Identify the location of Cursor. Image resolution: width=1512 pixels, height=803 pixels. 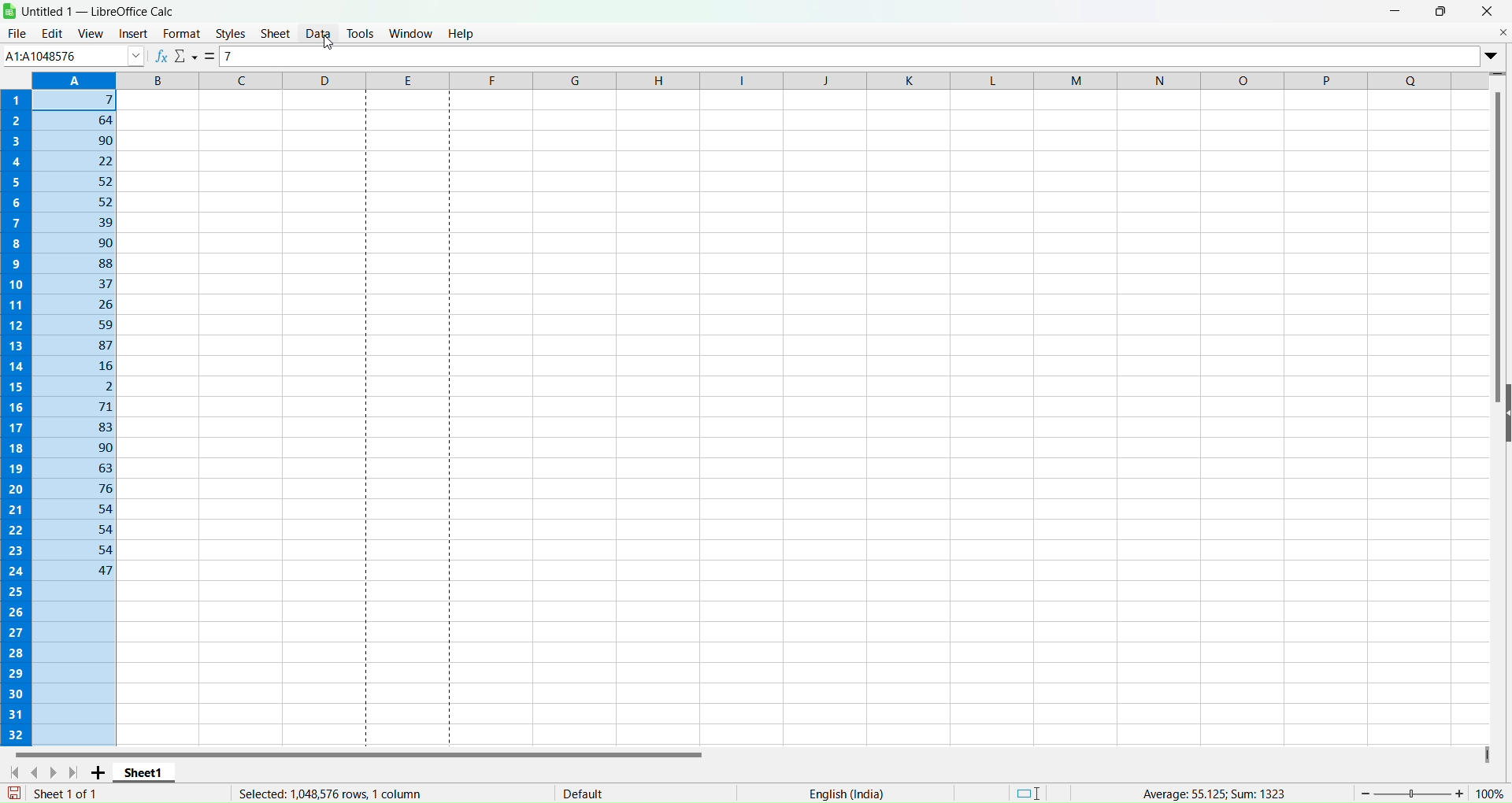
(325, 42).